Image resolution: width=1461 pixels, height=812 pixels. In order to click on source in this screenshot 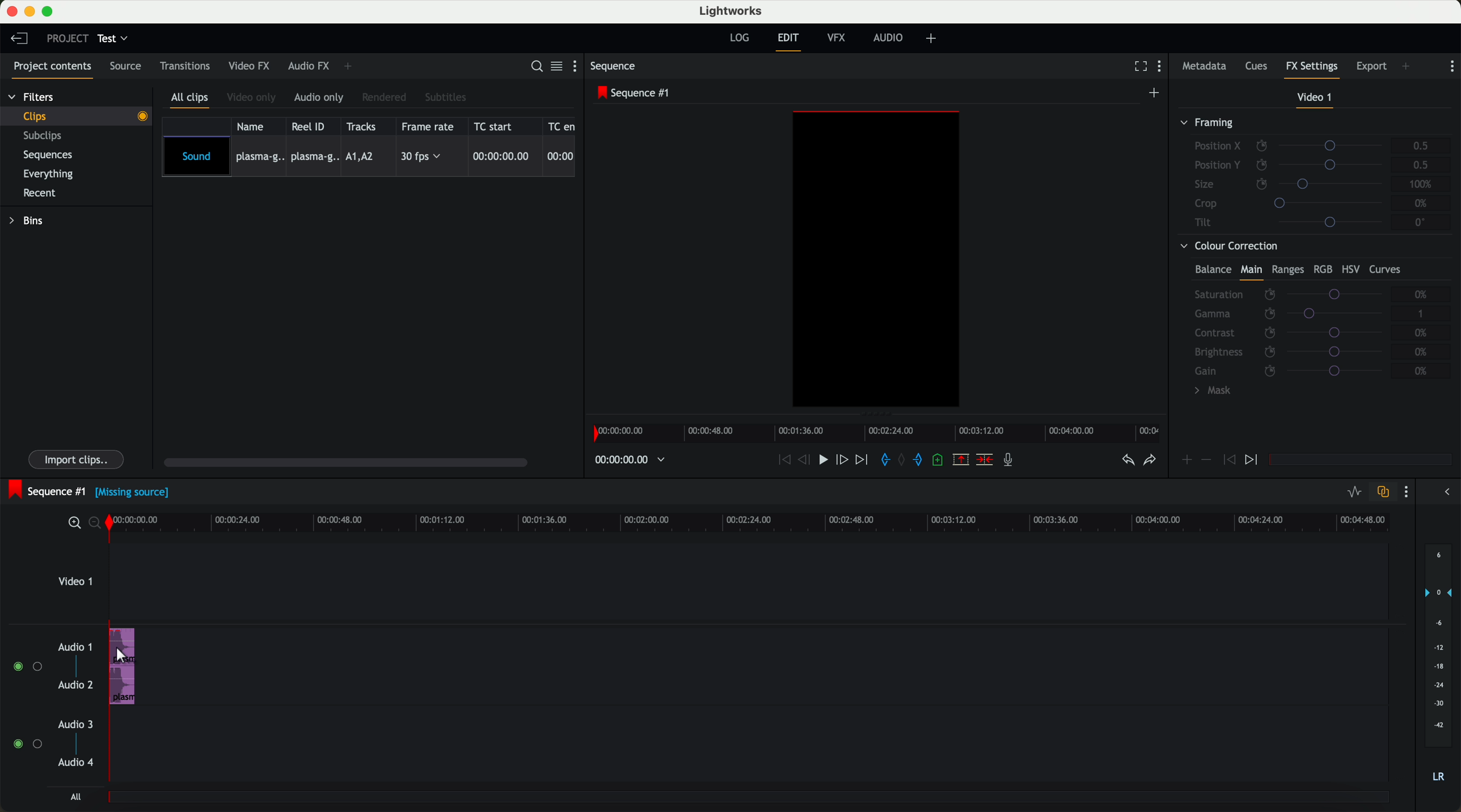, I will do `click(129, 67)`.